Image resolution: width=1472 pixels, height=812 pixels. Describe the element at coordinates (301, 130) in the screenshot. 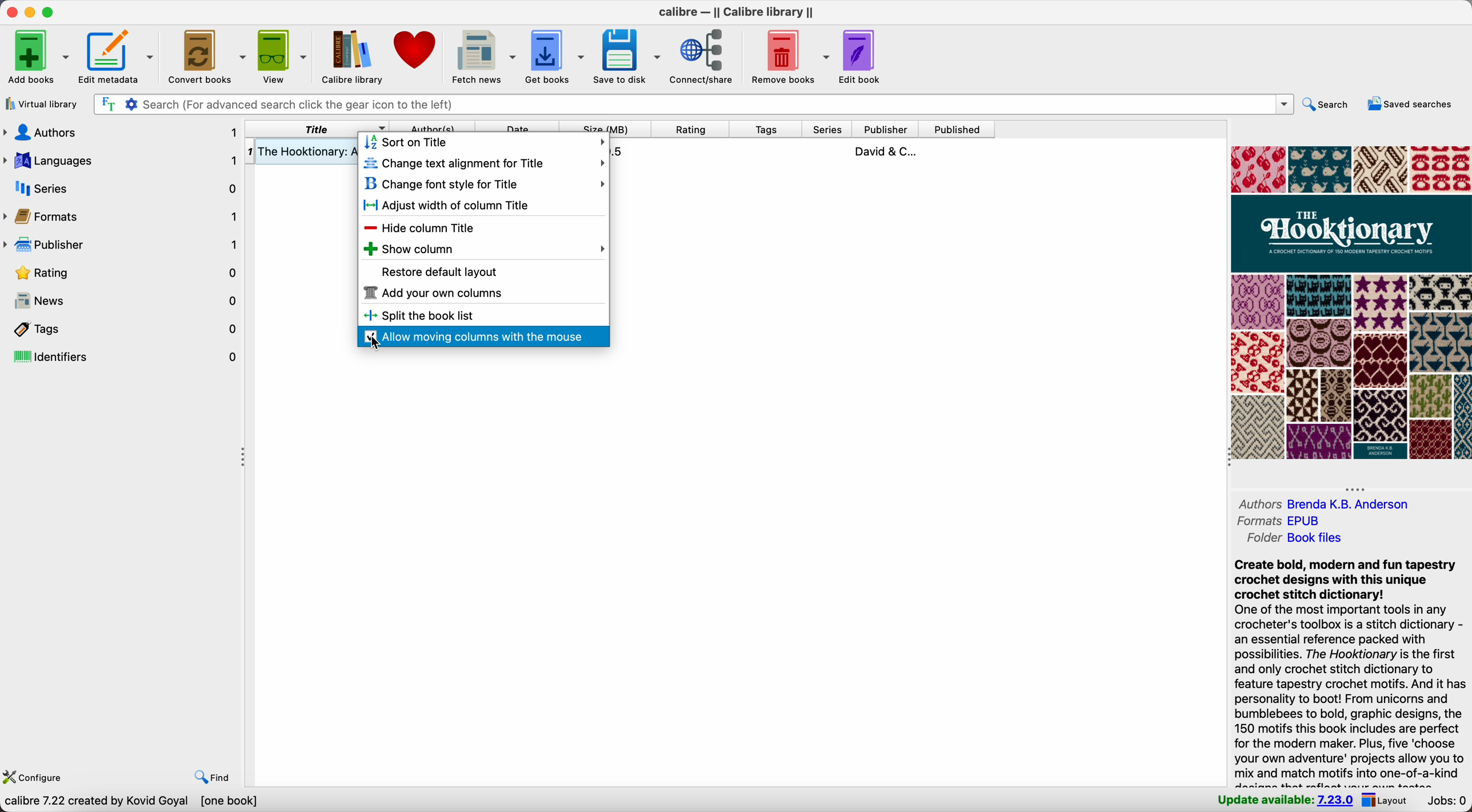

I see `right click on title` at that location.